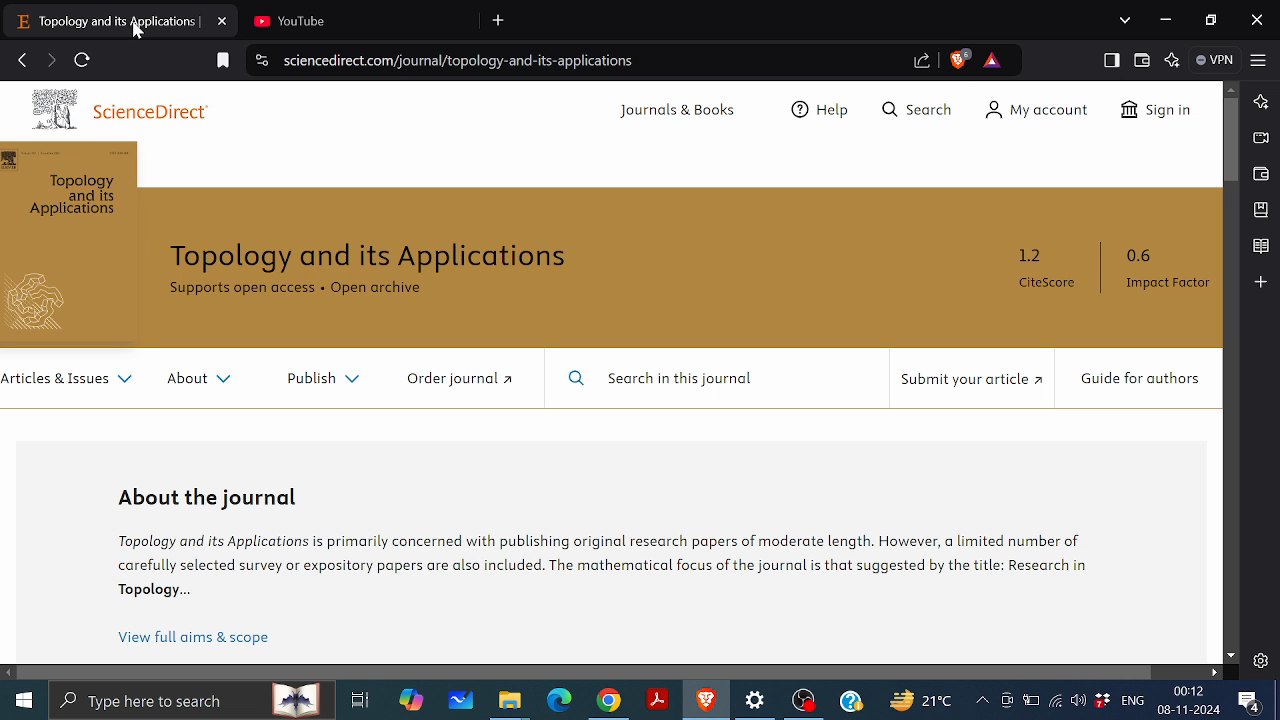  What do you see at coordinates (224, 19) in the screenshot?
I see `Close current tab` at bounding box center [224, 19].